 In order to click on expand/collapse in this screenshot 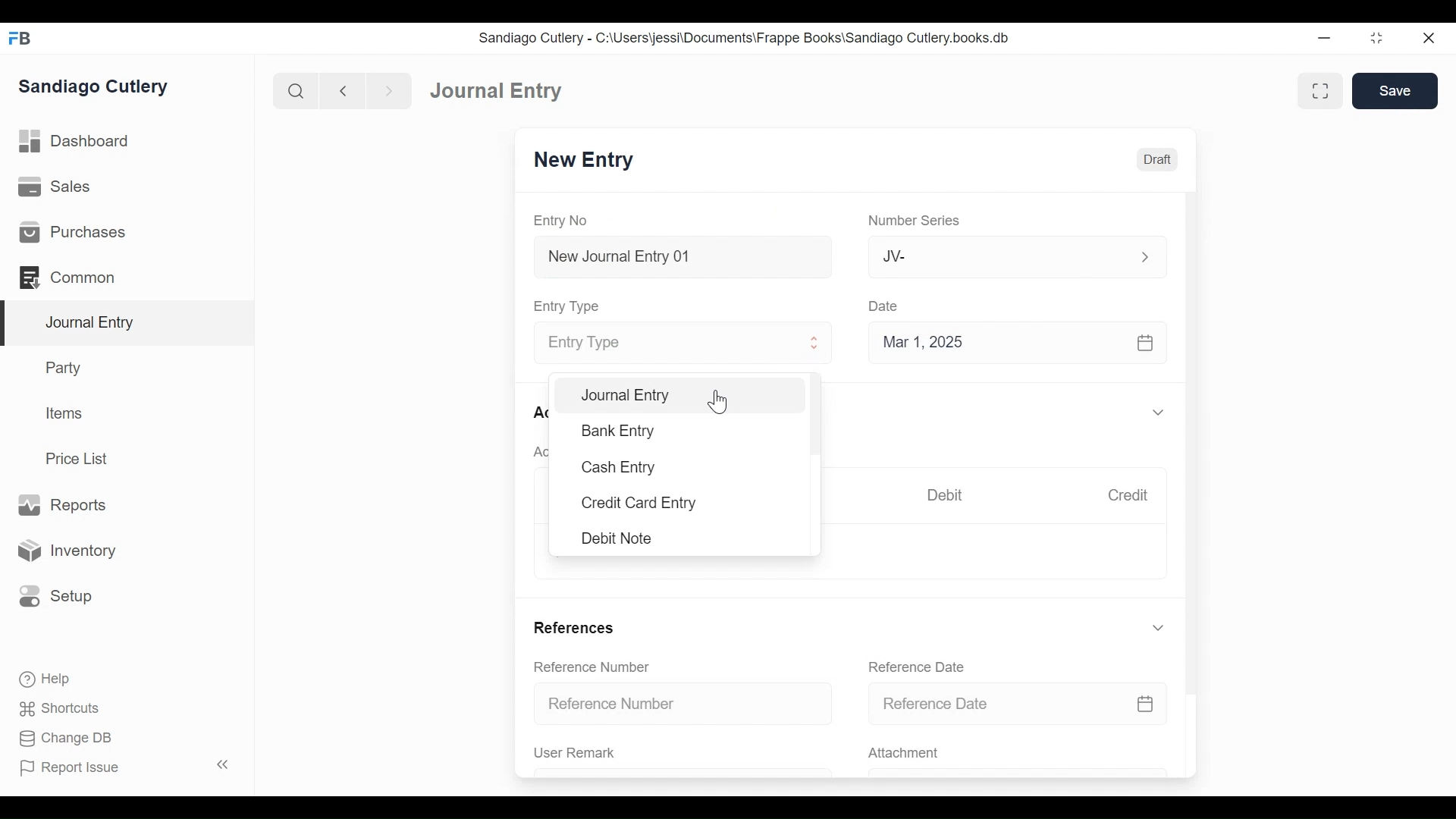, I will do `click(1157, 412)`.